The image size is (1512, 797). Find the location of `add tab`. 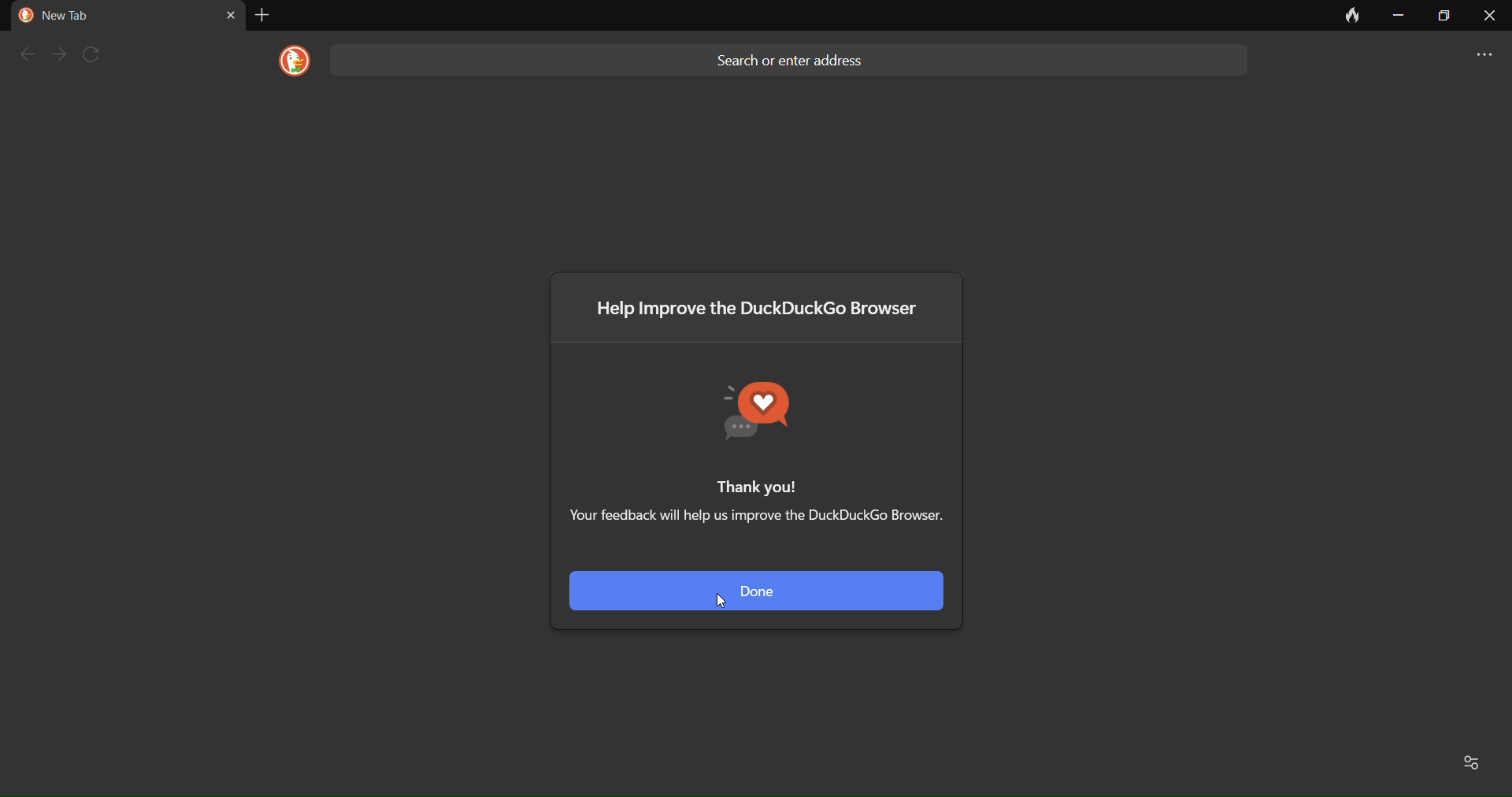

add tab is located at coordinates (261, 15).